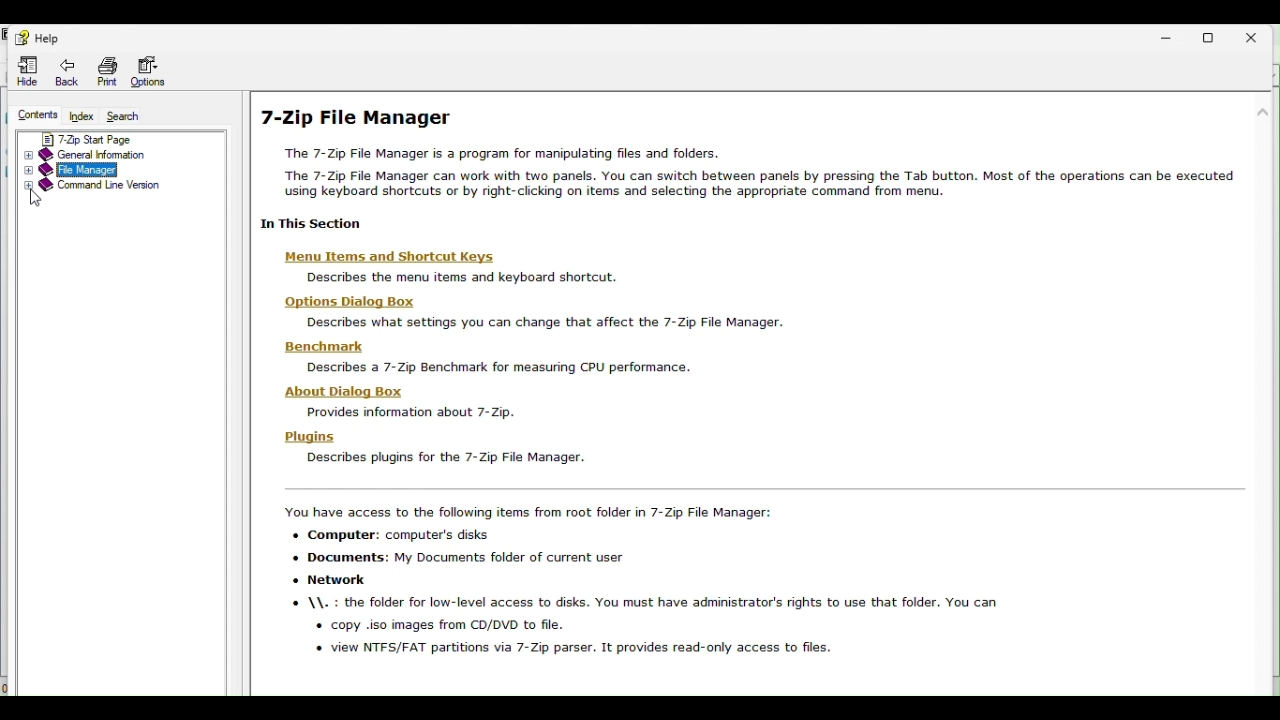  I want to click on You have access to the following items from root folder in 7-Zip File Manager:
«+ Computer: computer's disks
«+ Documents: My Documents folder of current user
« Network
 \\. : the folder for low-level access to disks. You must have administrator's fights to use that folder. You can
+ copy .iso images from CD/DVD to file.
« view NTFS/FAT partitions via 7-Zip parser. It provides read-only access to files., so click(635, 581).